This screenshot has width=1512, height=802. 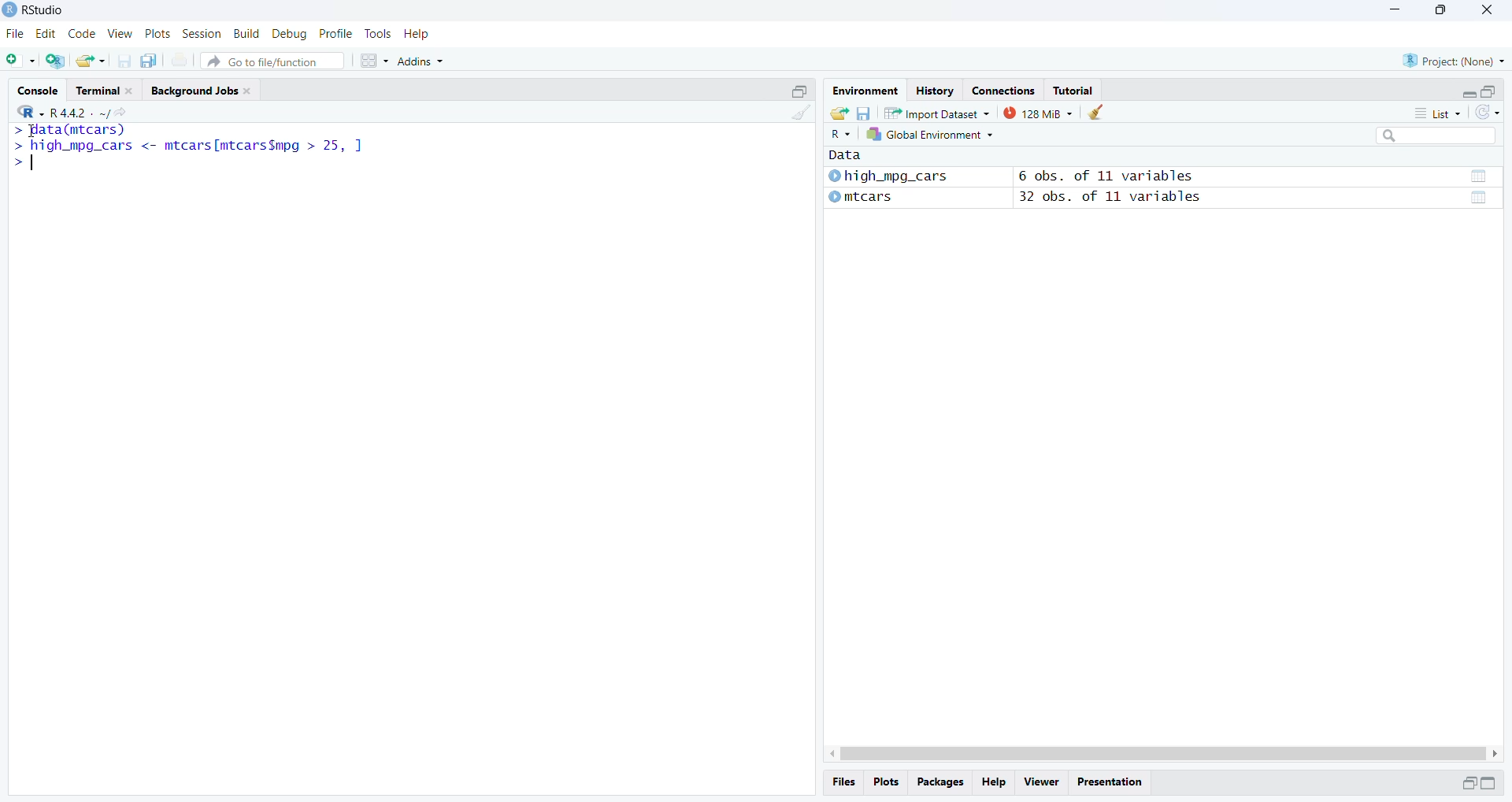 What do you see at coordinates (1478, 199) in the screenshot?
I see `data` at bounding box center [1478, 199].